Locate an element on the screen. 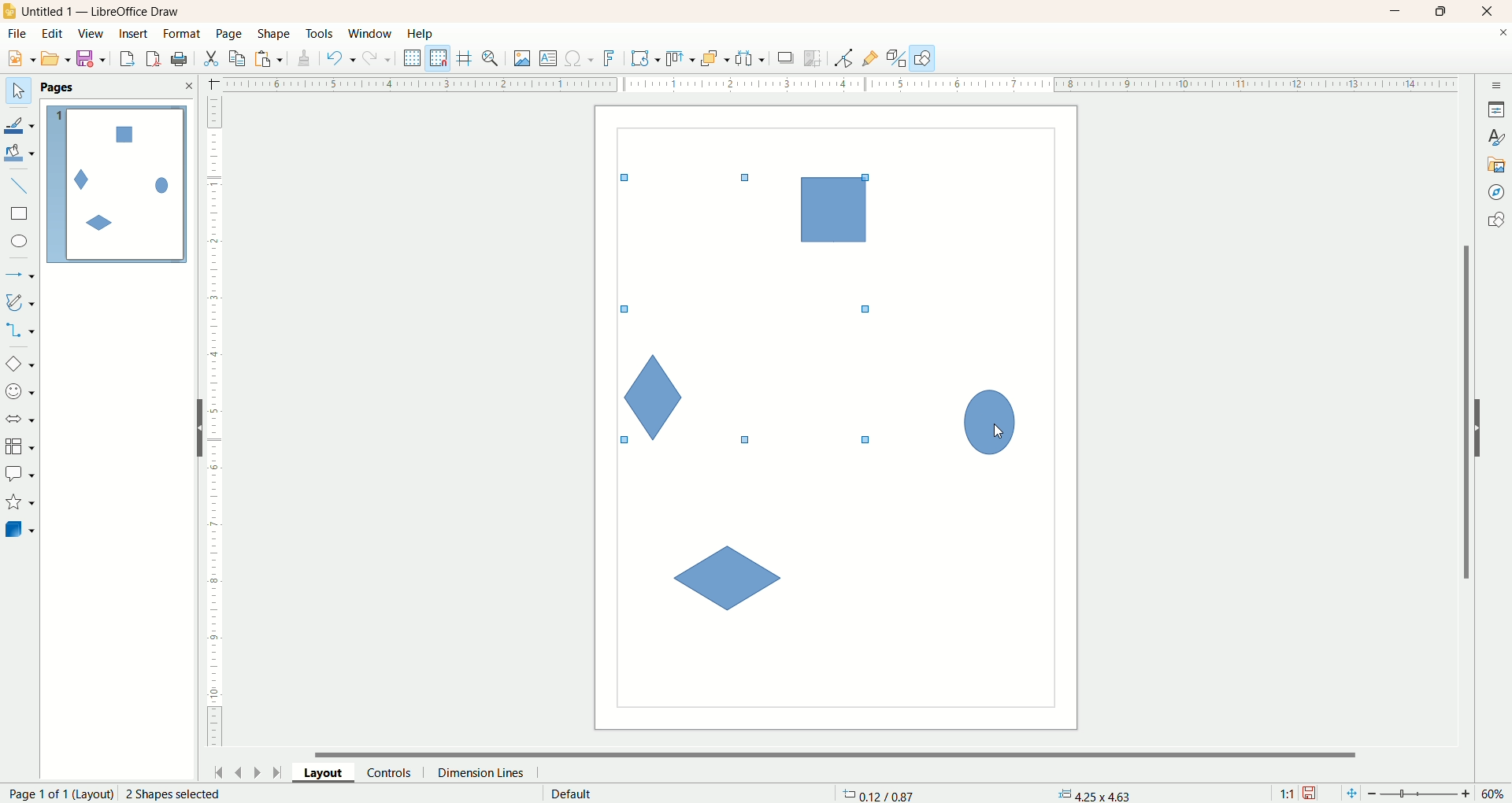  select is located at coordinates (18, 91).